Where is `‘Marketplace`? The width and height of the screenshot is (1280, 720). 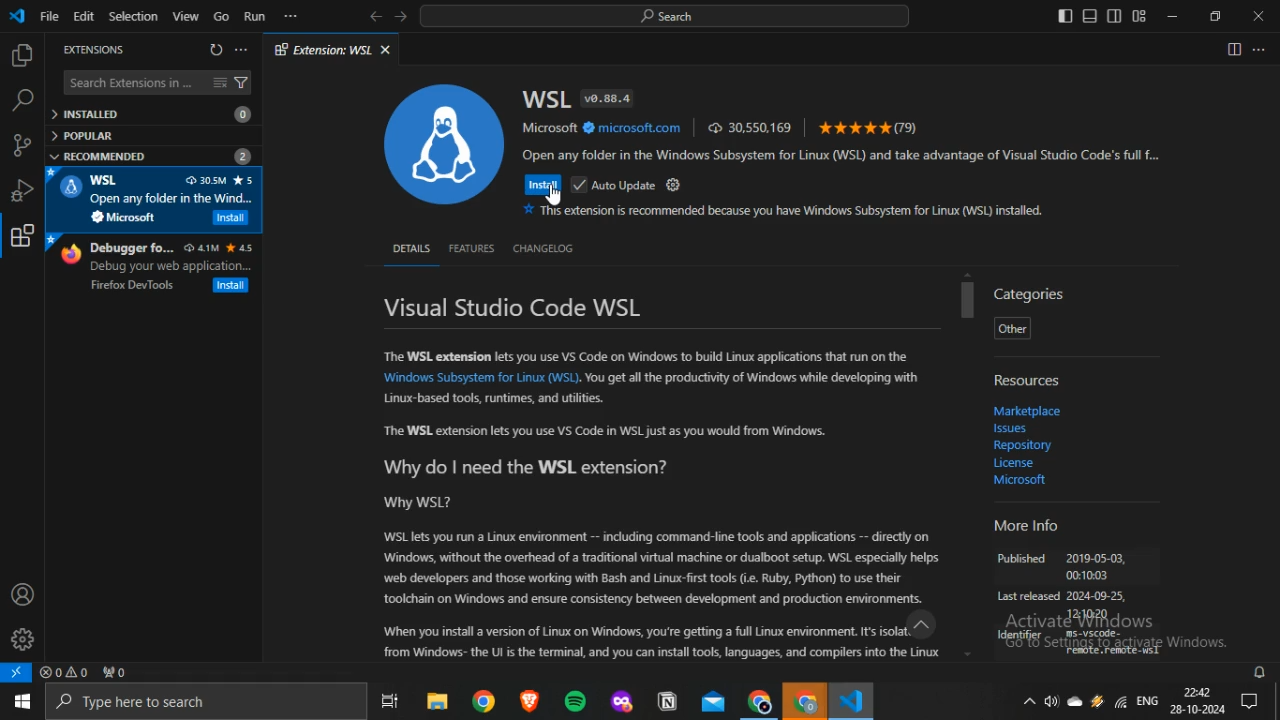 ‘Marketplace is located at coordinates (1027, 411).